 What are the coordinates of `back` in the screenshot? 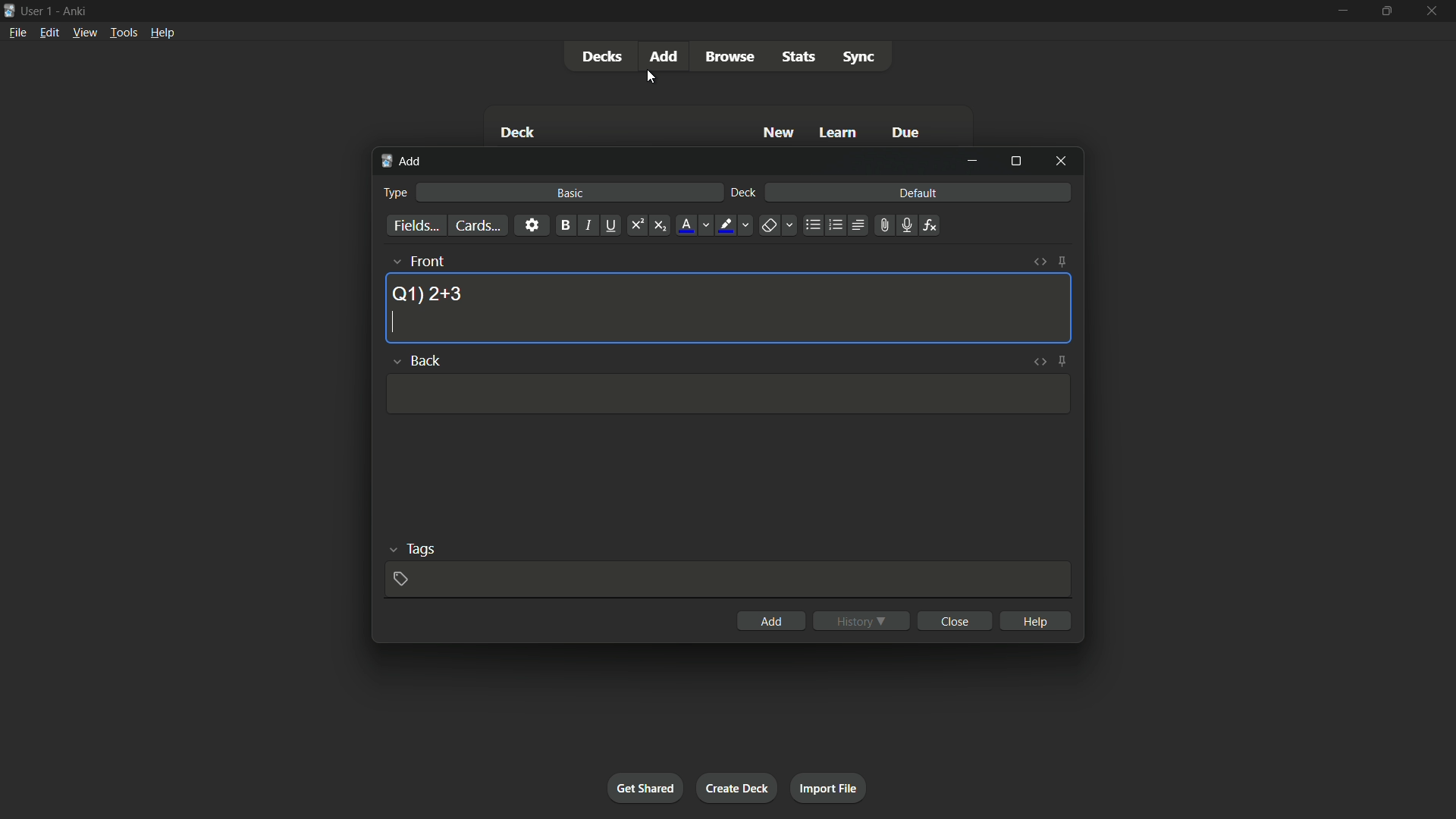 It's located at (425, 362).